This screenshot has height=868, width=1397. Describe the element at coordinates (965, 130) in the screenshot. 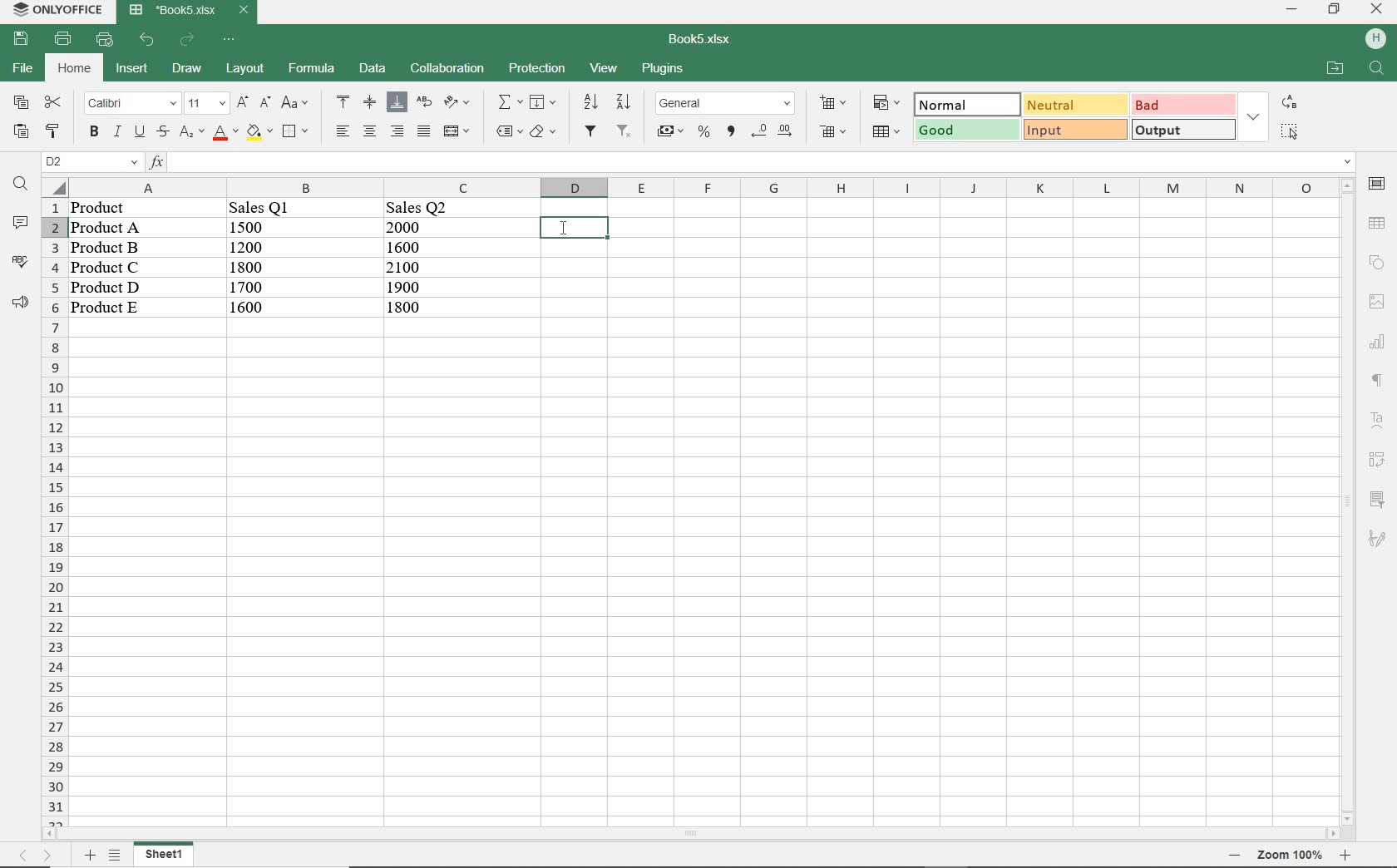

I see `good` at that location.